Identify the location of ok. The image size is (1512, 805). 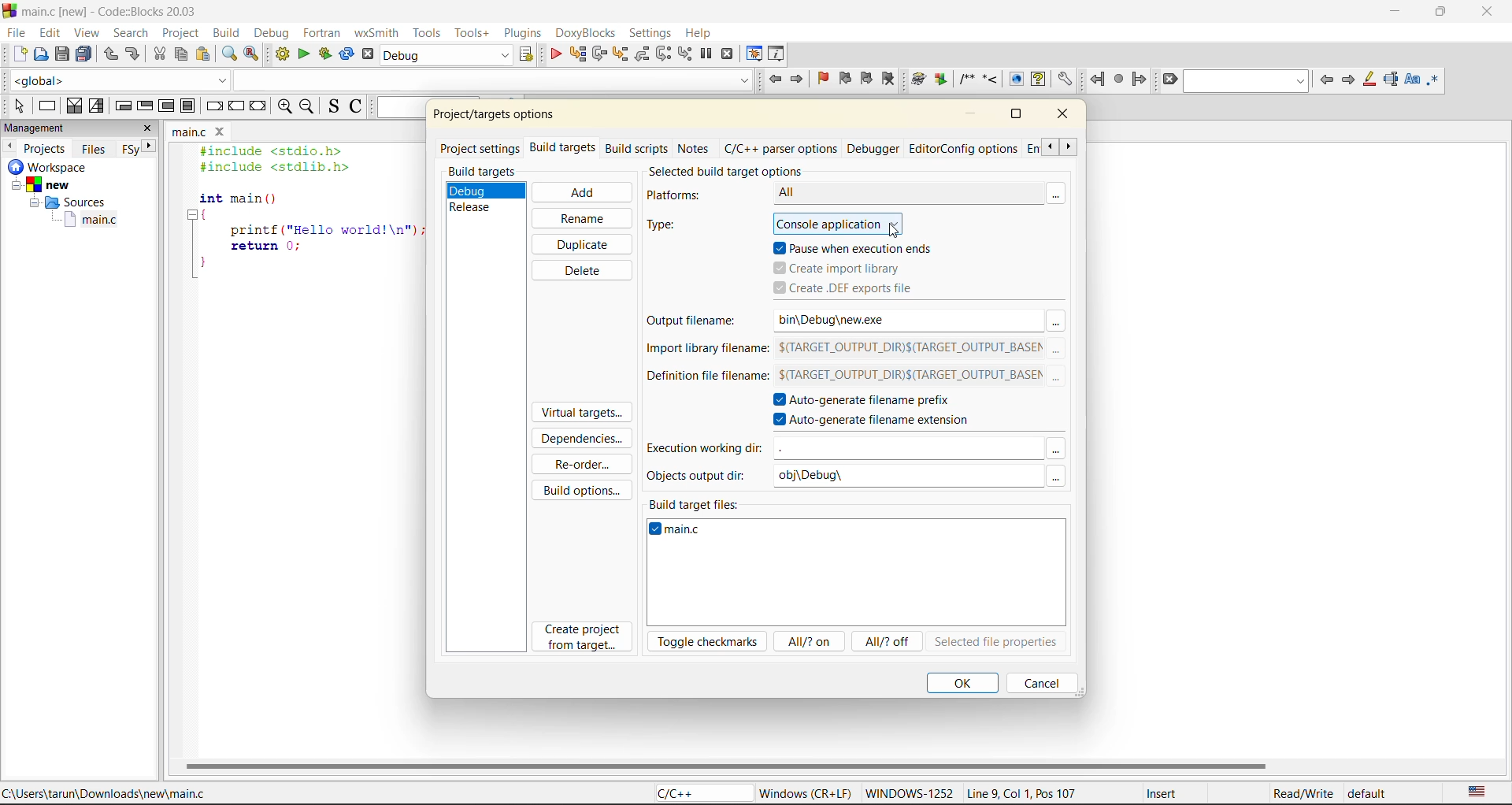
(964, 684).